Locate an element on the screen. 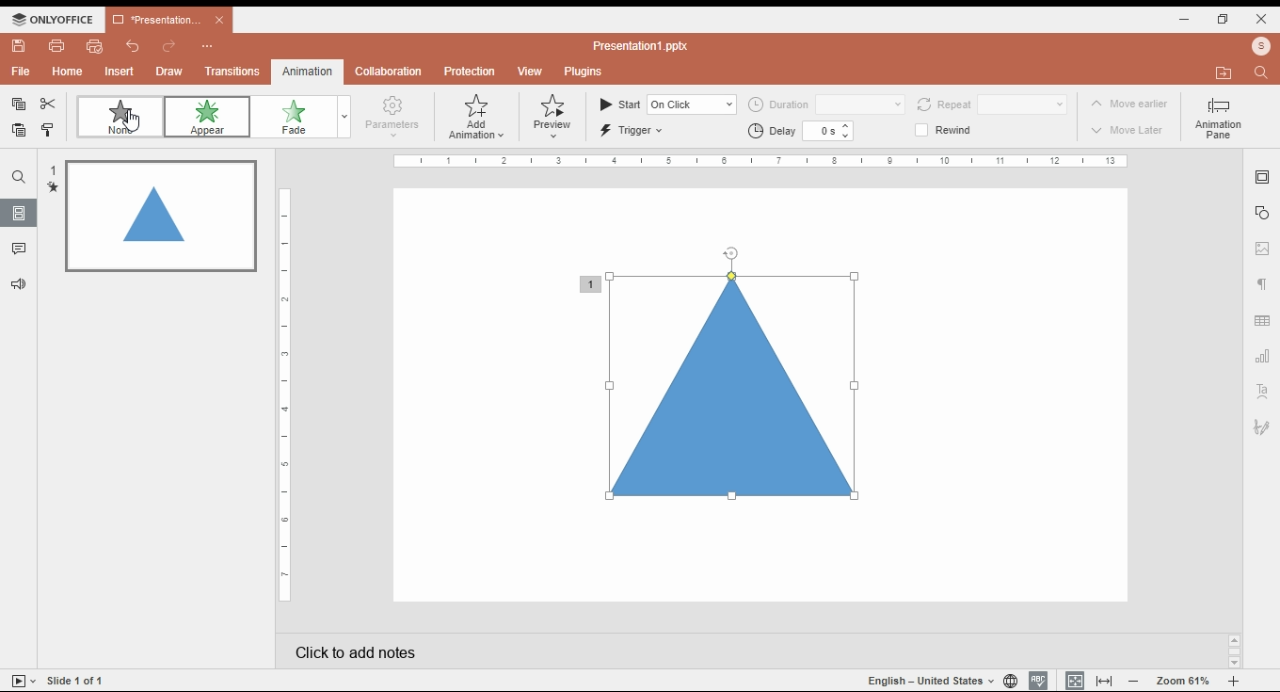  find is located at coordinates (1262, 73).